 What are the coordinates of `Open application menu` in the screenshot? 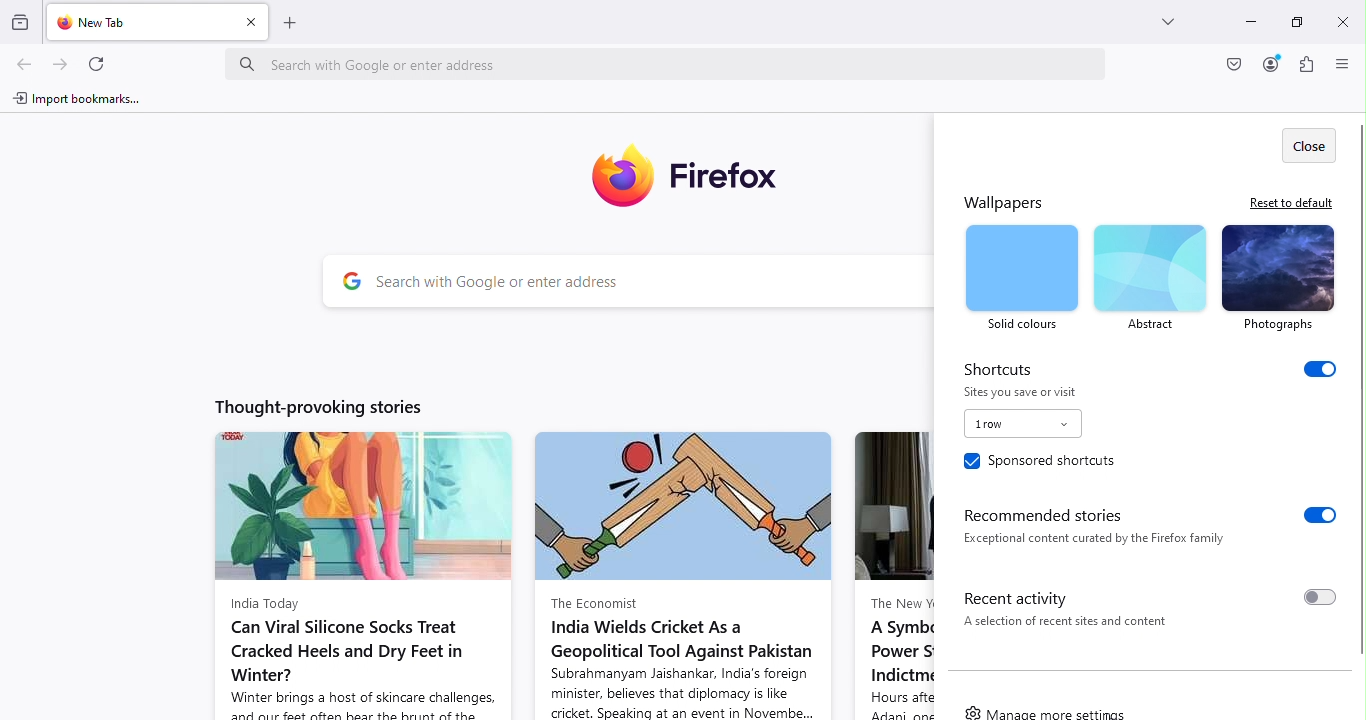 It's located at (1344, 65).